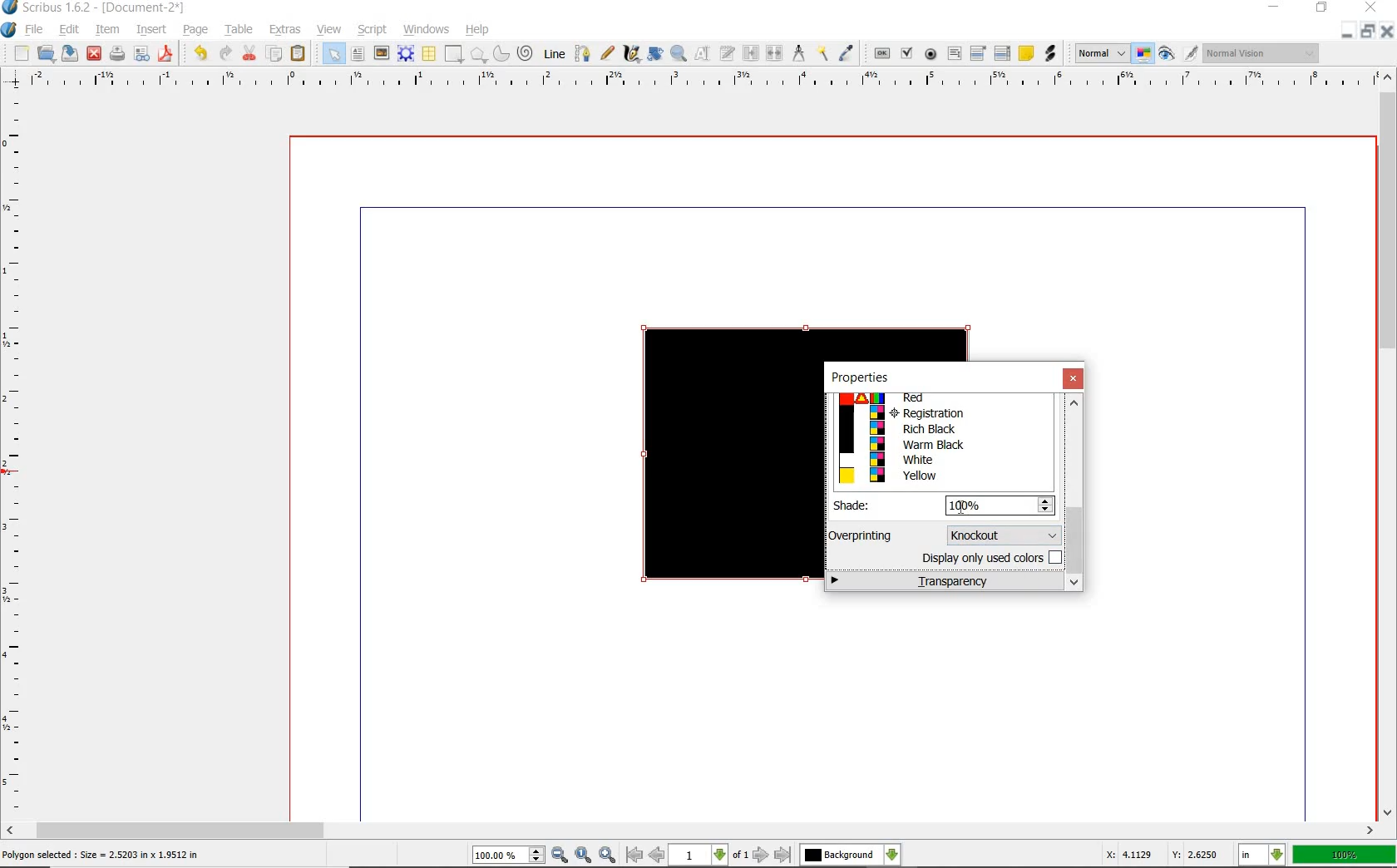  Describe the element at coordinates (1345, 36) in the screenshot. I see `MINIMIZE` at that location.